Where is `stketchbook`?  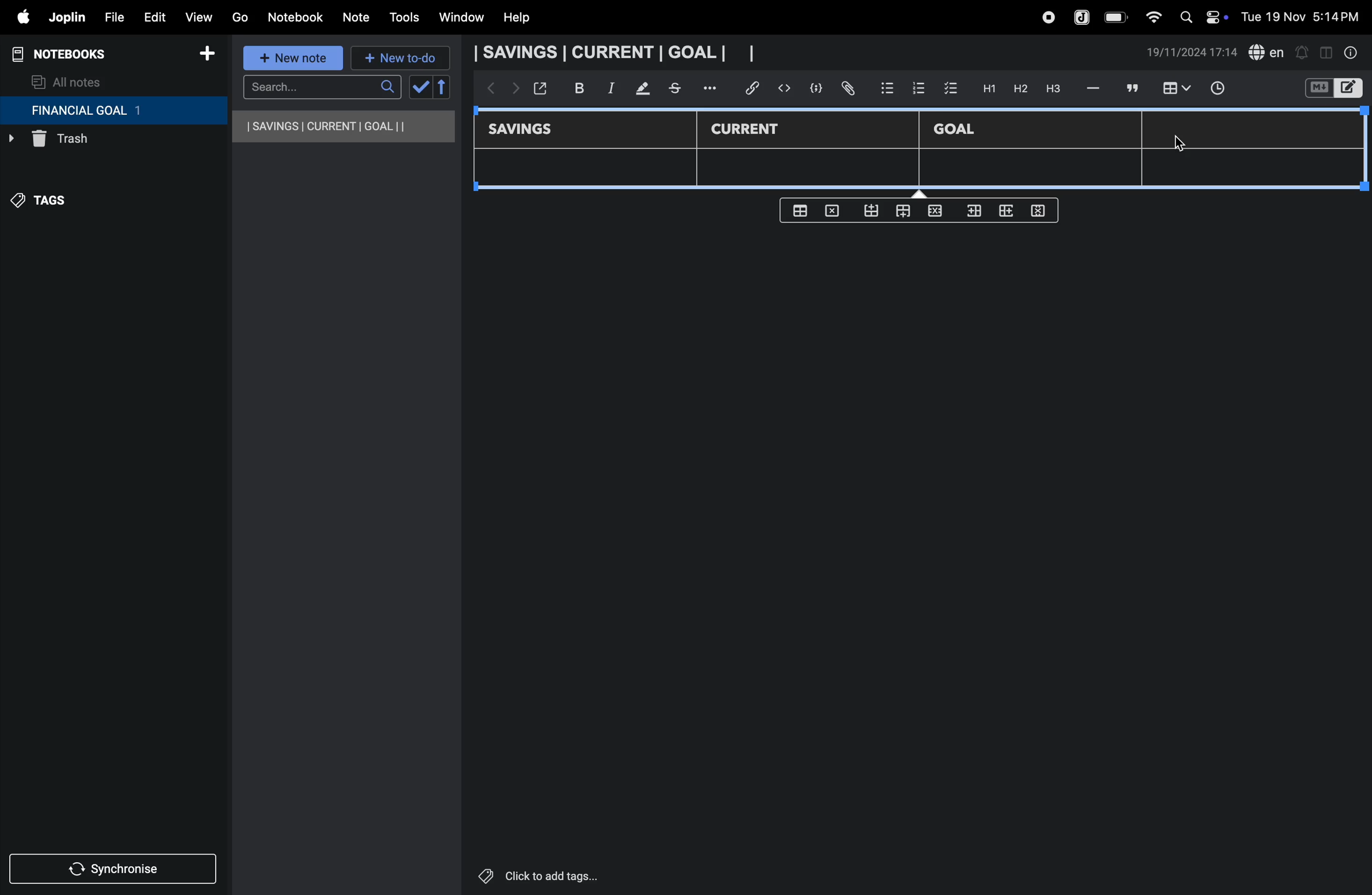
stketchbook is located at coordinates (676, 90).